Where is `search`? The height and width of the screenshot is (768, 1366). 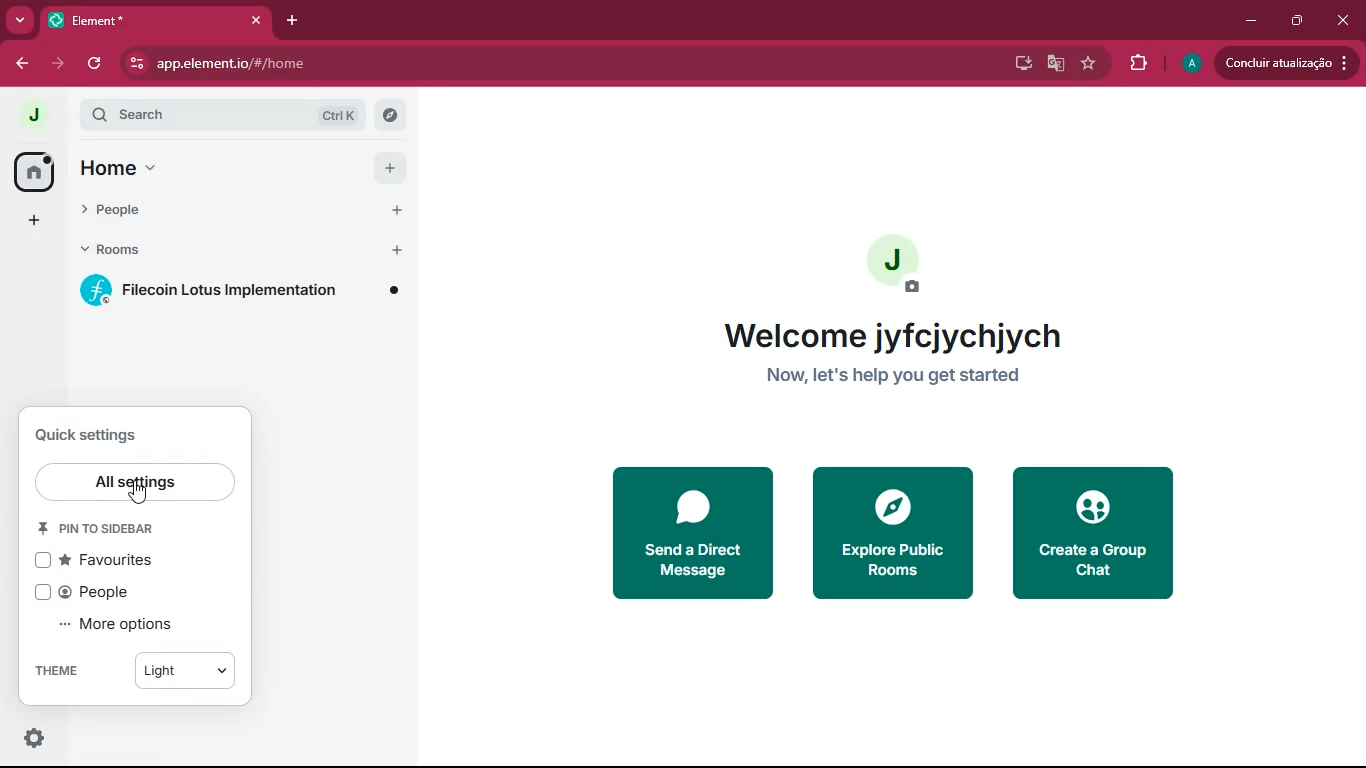
search is located at coordinates (223, 115).